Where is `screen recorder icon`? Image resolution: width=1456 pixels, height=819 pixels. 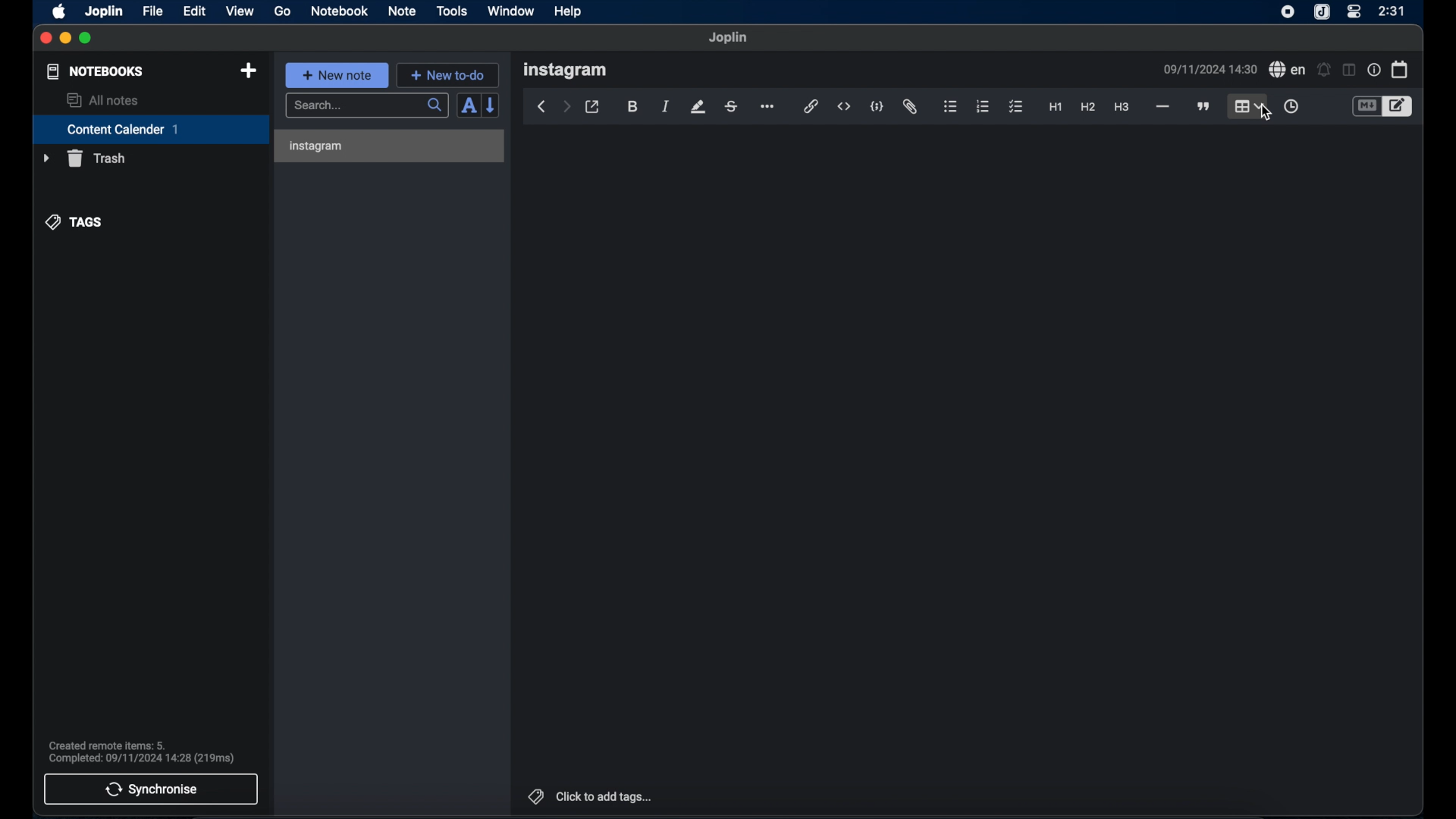 screen recorder icon is located at coordinates (1288, 13).